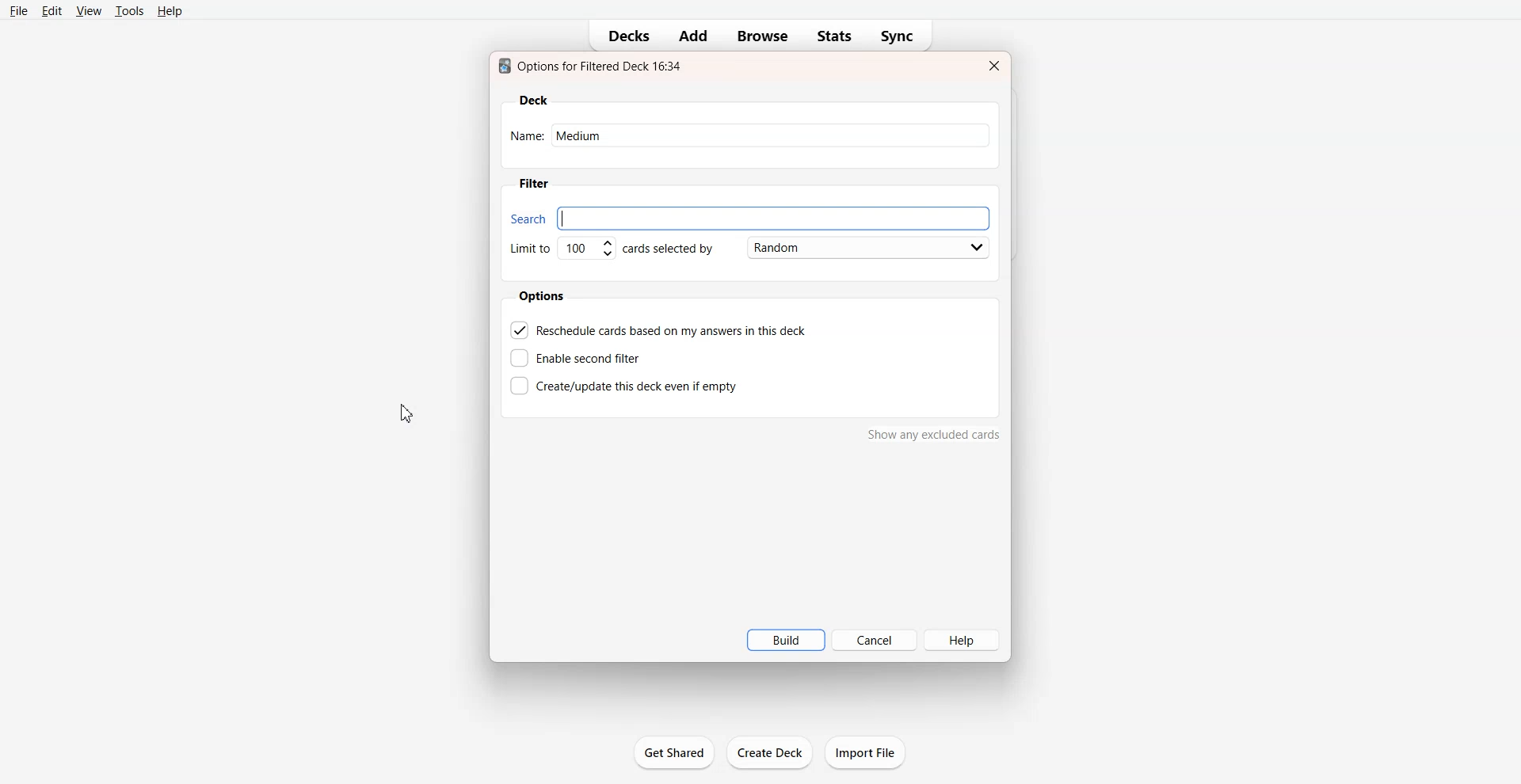  Describe the element at coordinates (406, 413) in the screenshot. I see `Cursor` at that location.